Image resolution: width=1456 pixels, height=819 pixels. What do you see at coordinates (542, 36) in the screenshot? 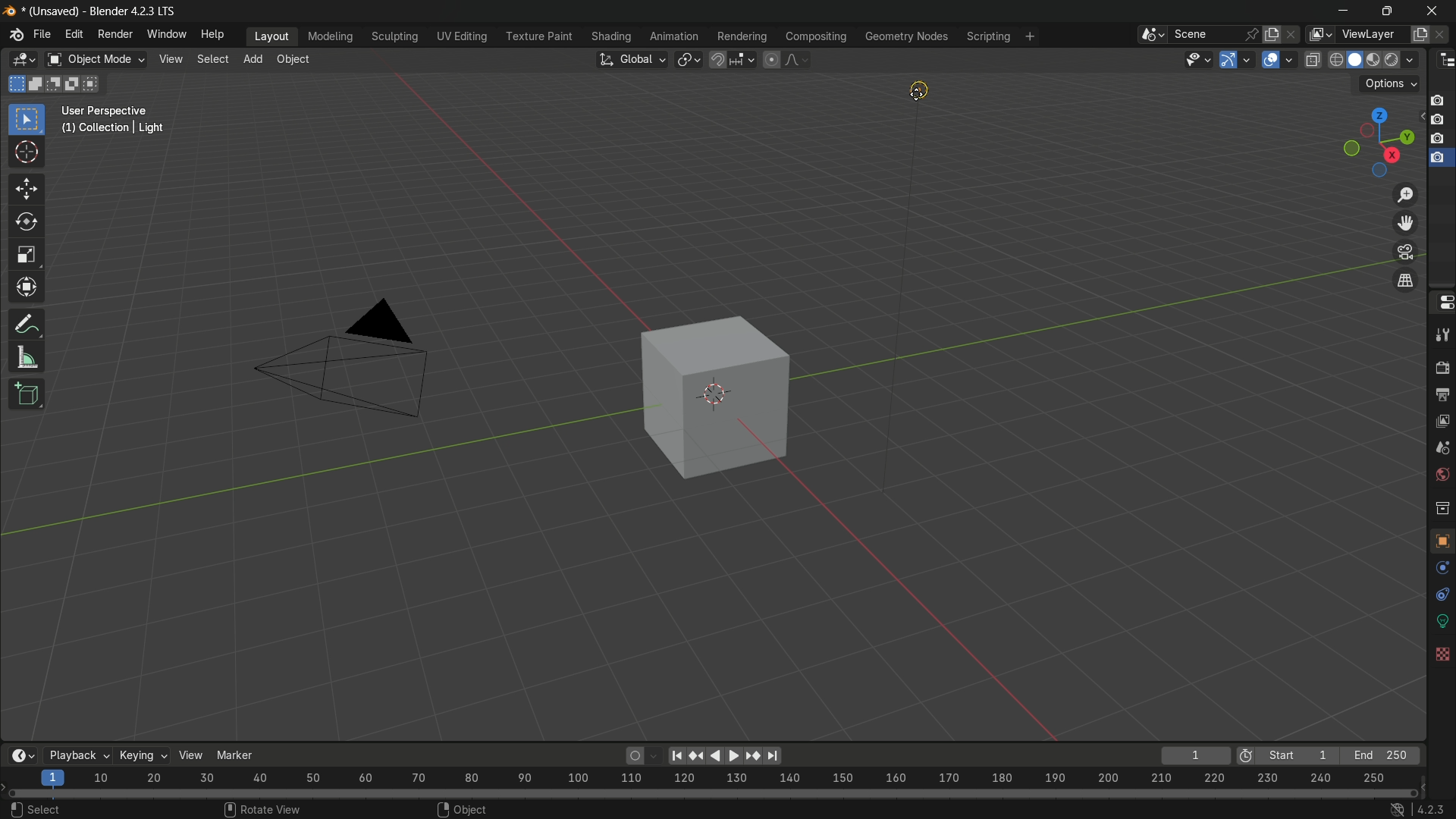
I see `texture paint menu` at bounding box center [542, 36].